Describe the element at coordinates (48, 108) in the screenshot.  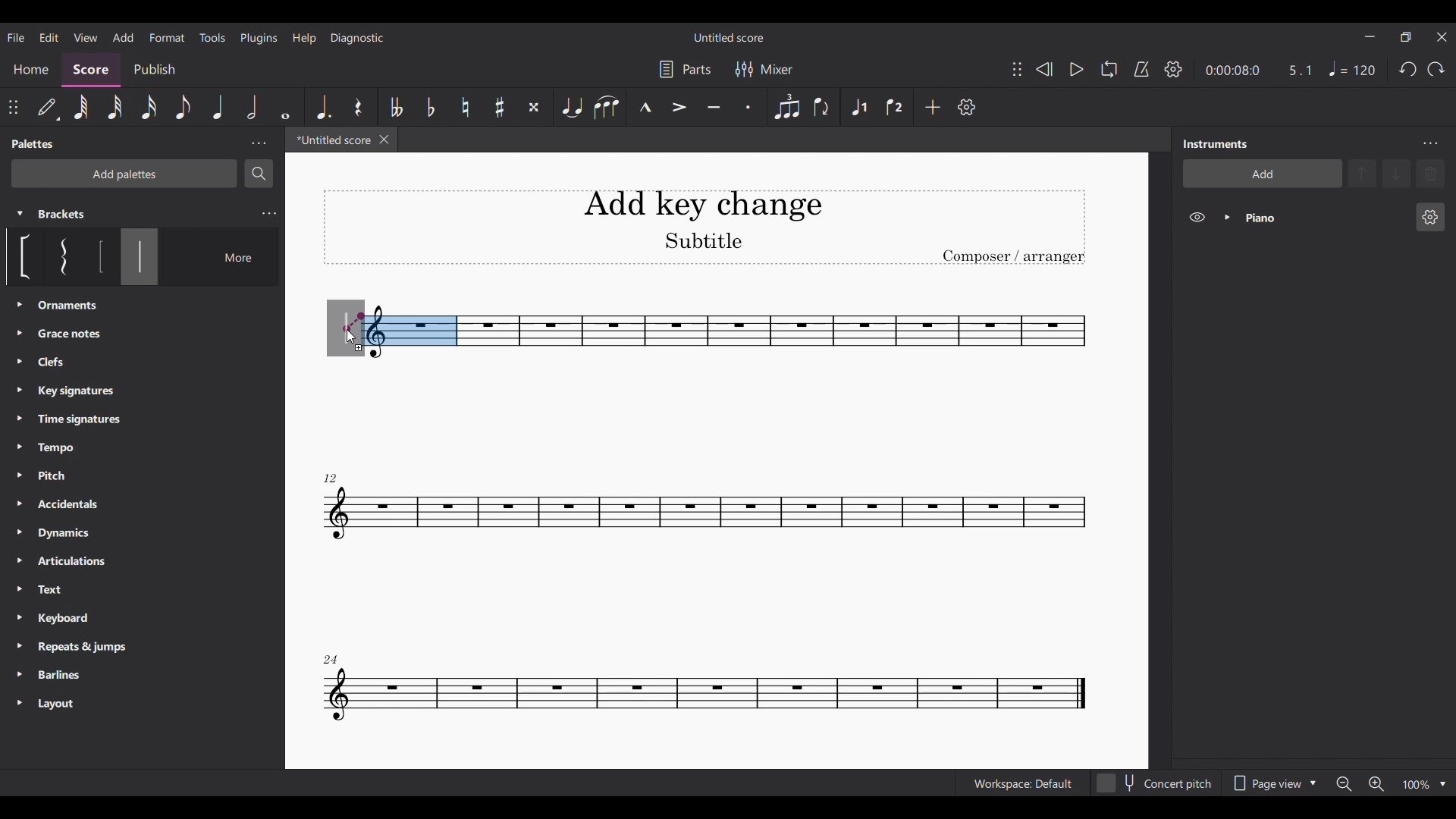
I see `Default` at that location.